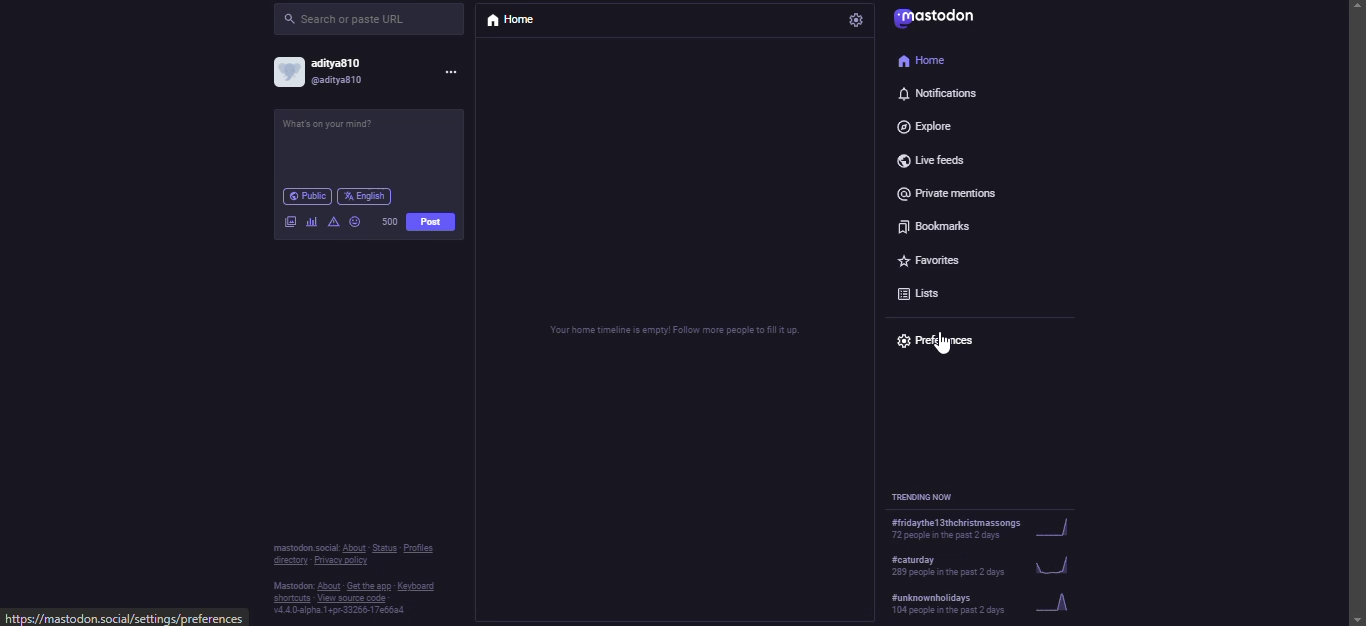 The image size is (1366, 626). What do you see at coordinates (938, 94) in the screenshot?
I see `notifications` at bounding box center [938, 94].